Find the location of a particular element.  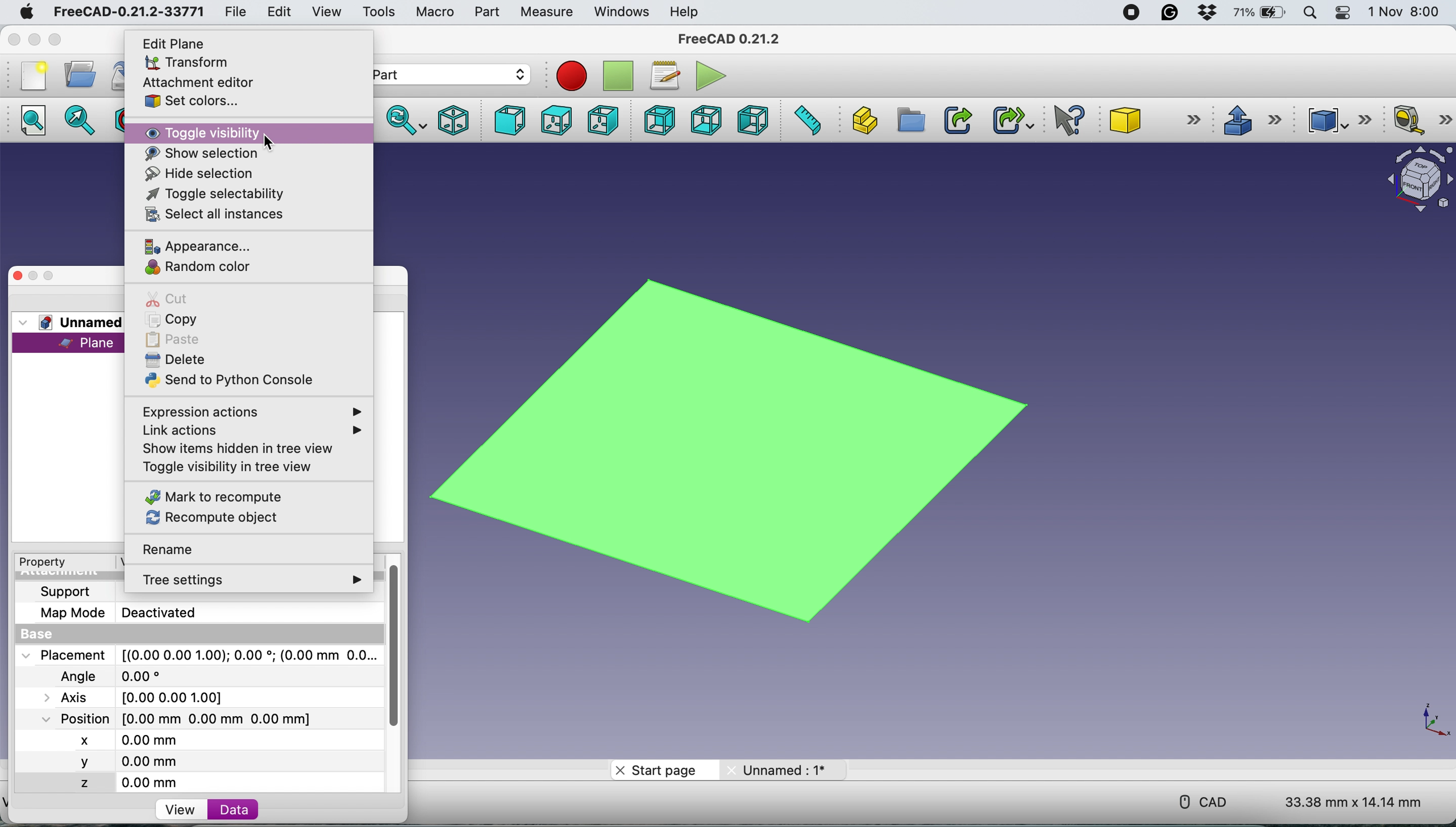

cut is located at coordinates (175, 300).